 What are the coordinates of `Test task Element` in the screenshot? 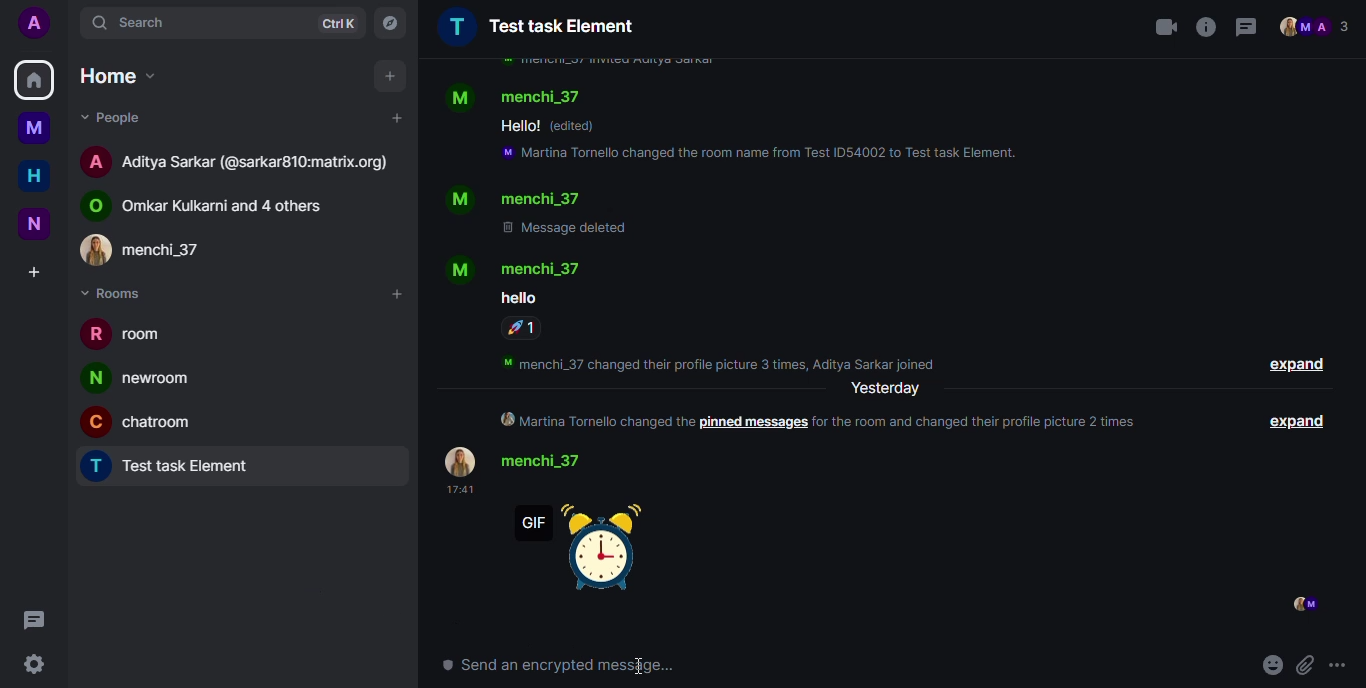 It's located at (178, 468).